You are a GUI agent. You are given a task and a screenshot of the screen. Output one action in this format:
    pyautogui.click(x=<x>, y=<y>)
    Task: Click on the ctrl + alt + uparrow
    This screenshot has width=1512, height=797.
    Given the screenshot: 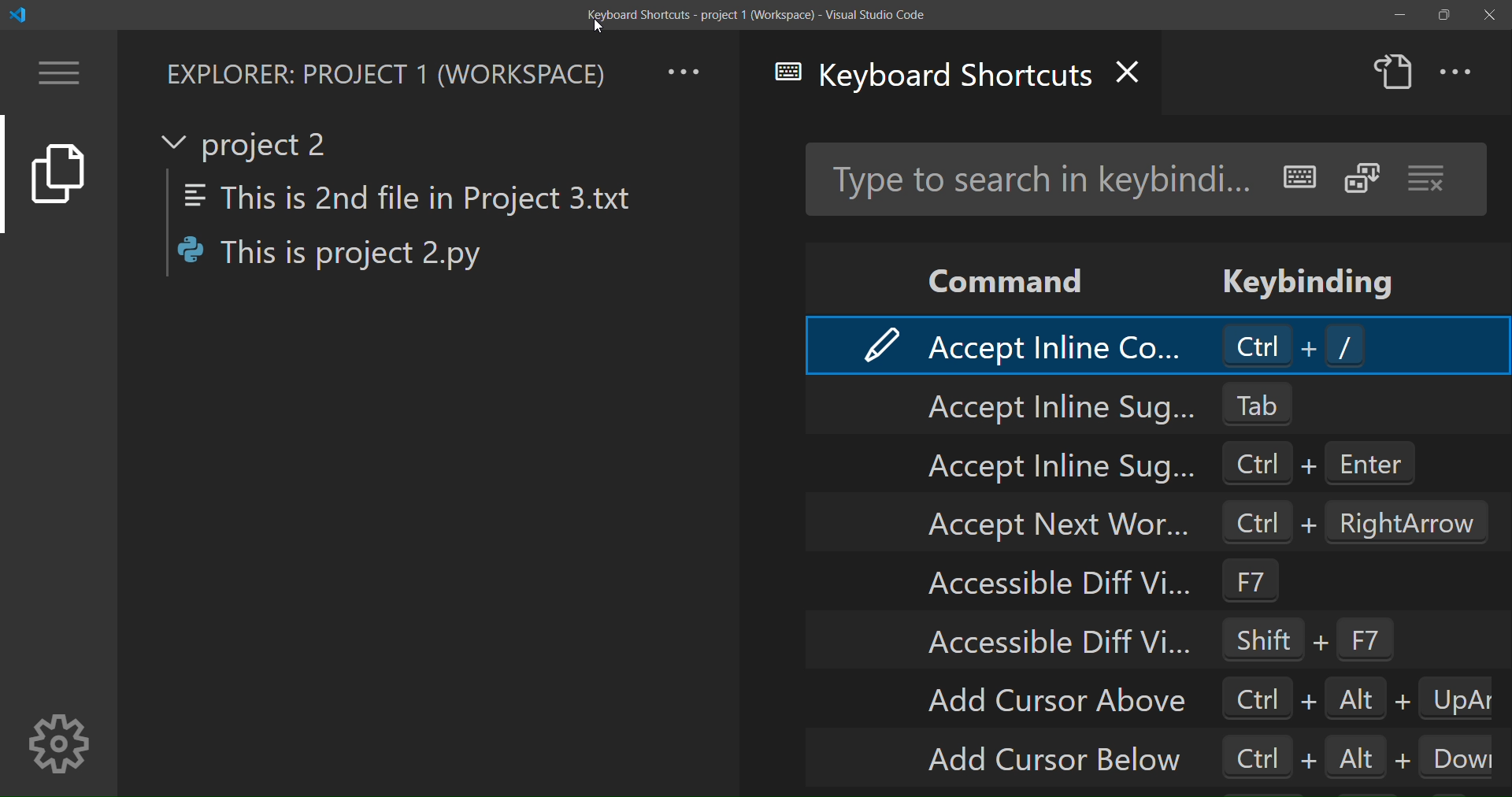 What is the action you would take?
    pyautogui.click(x=1357, y=697)
    